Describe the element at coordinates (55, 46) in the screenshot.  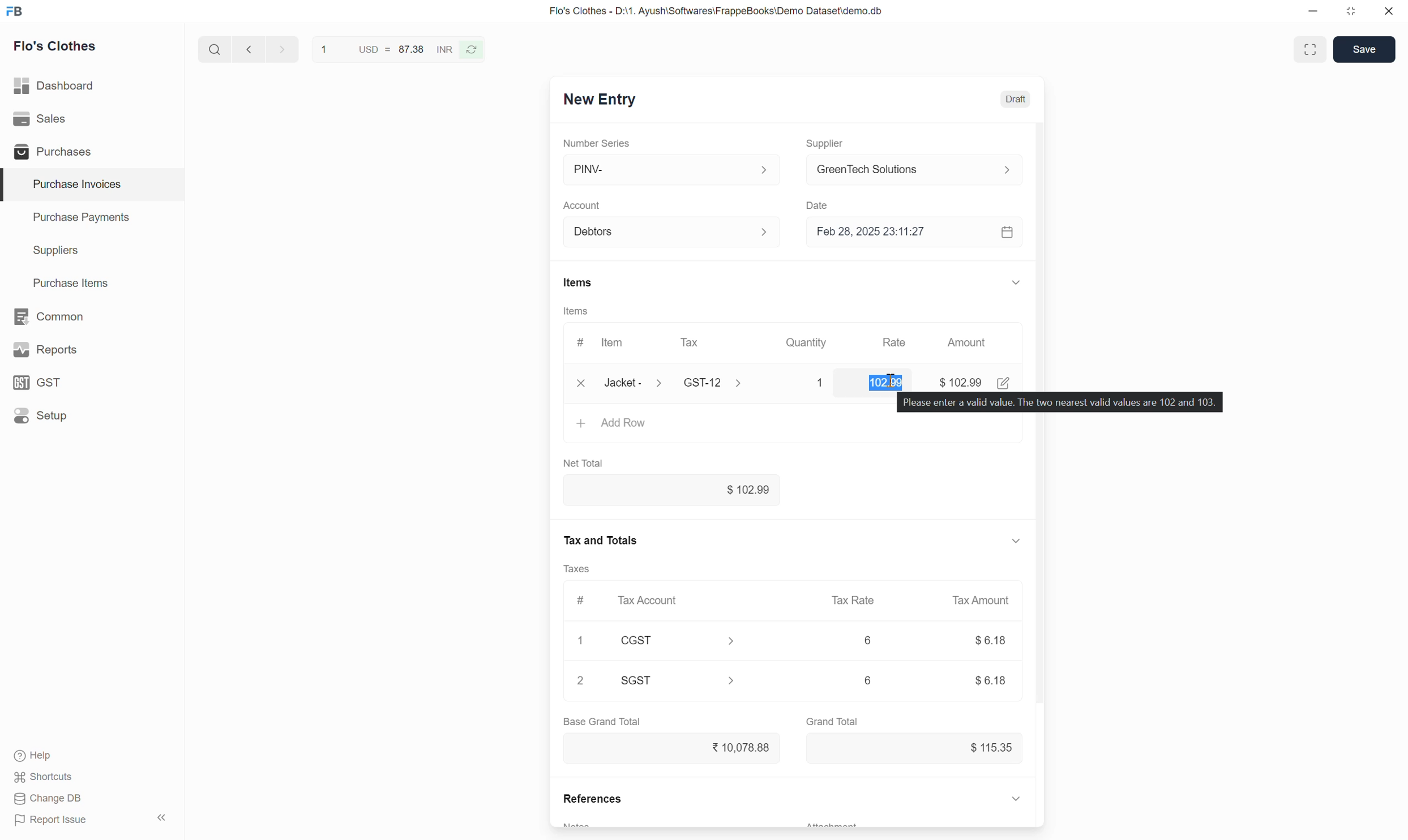
I see `Flo's Clothes` at that location.